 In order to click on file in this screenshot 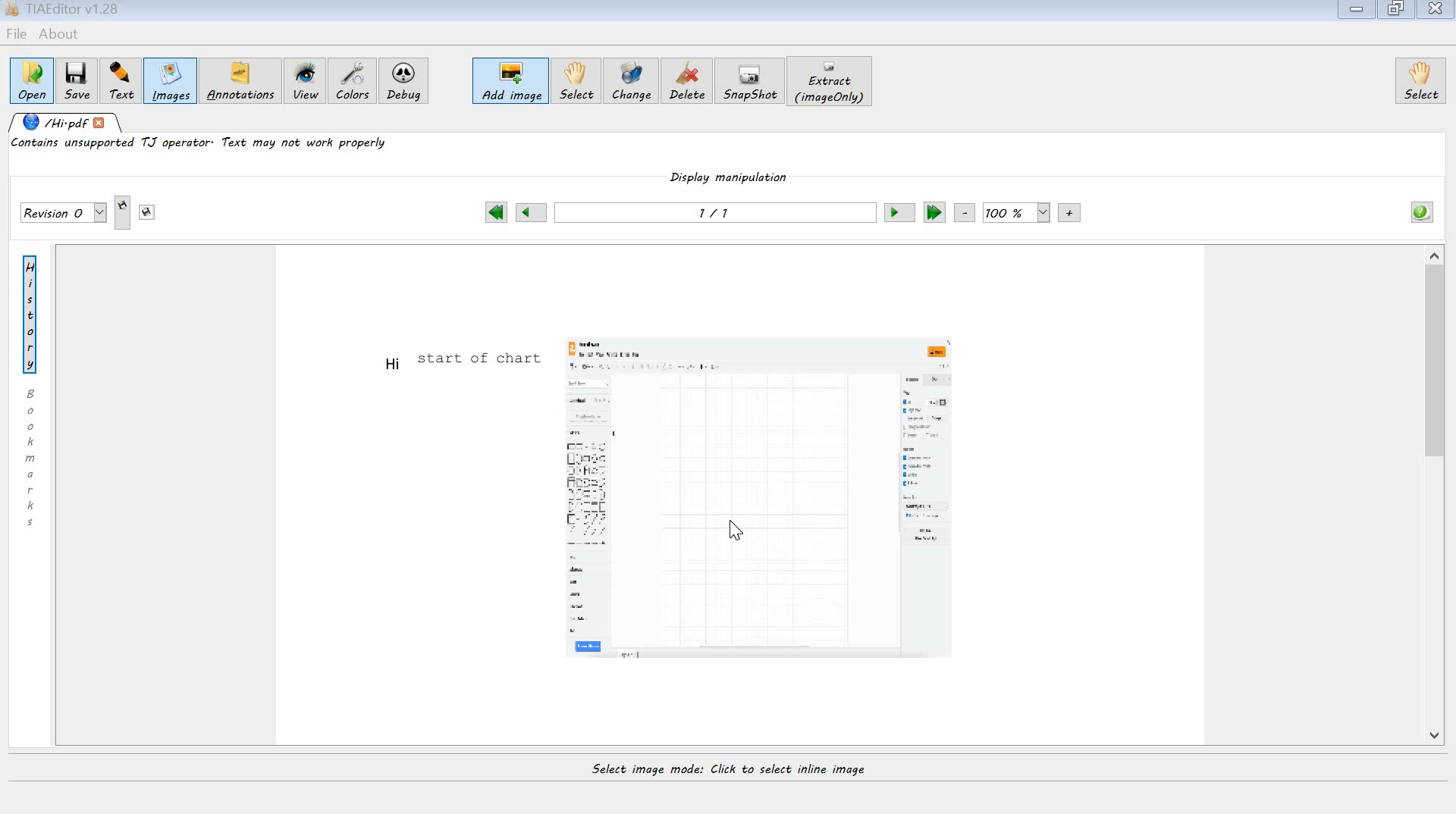, I will do `click(16, 34)`.